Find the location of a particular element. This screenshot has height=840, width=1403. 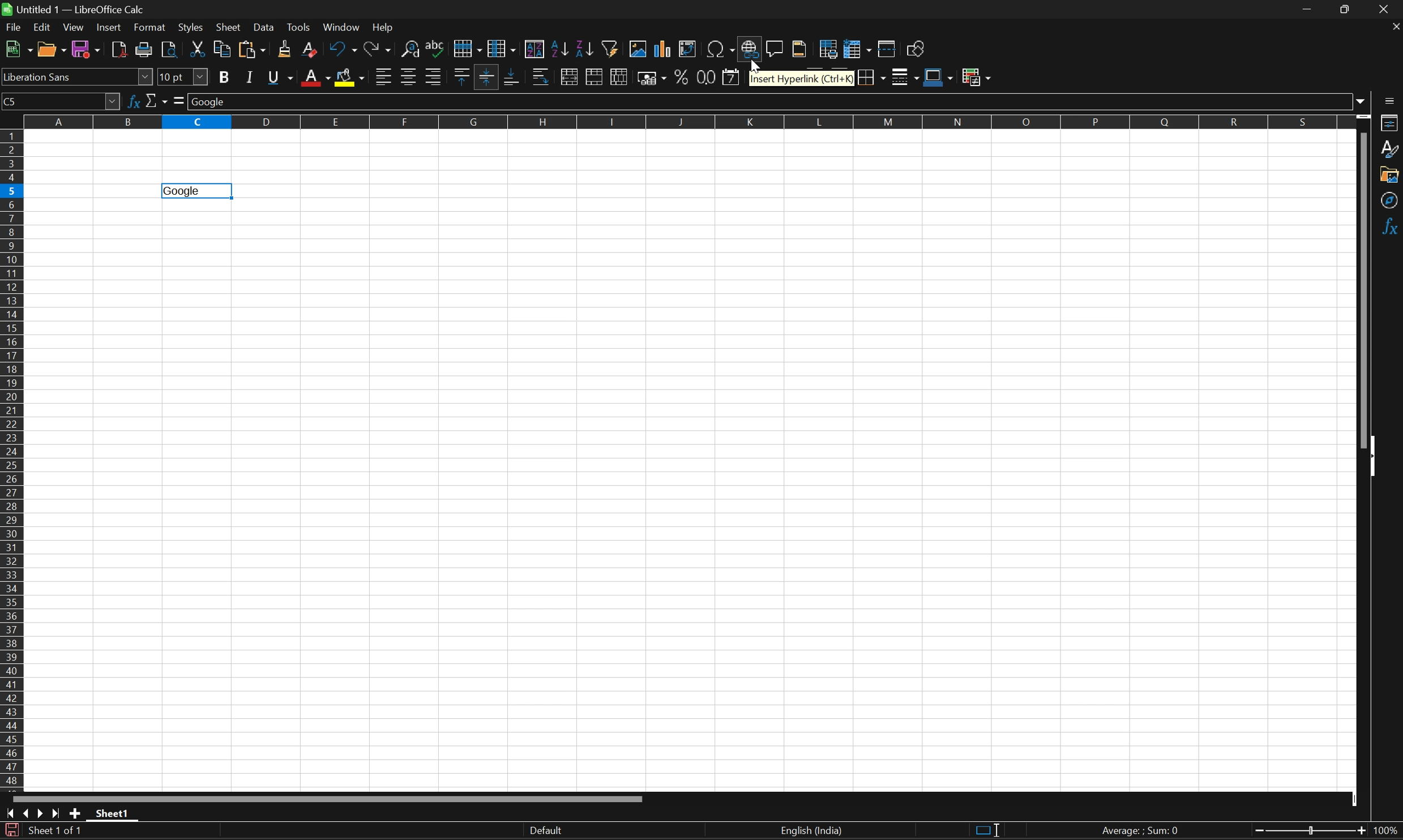

Column names is located at coordinates (685, 122).